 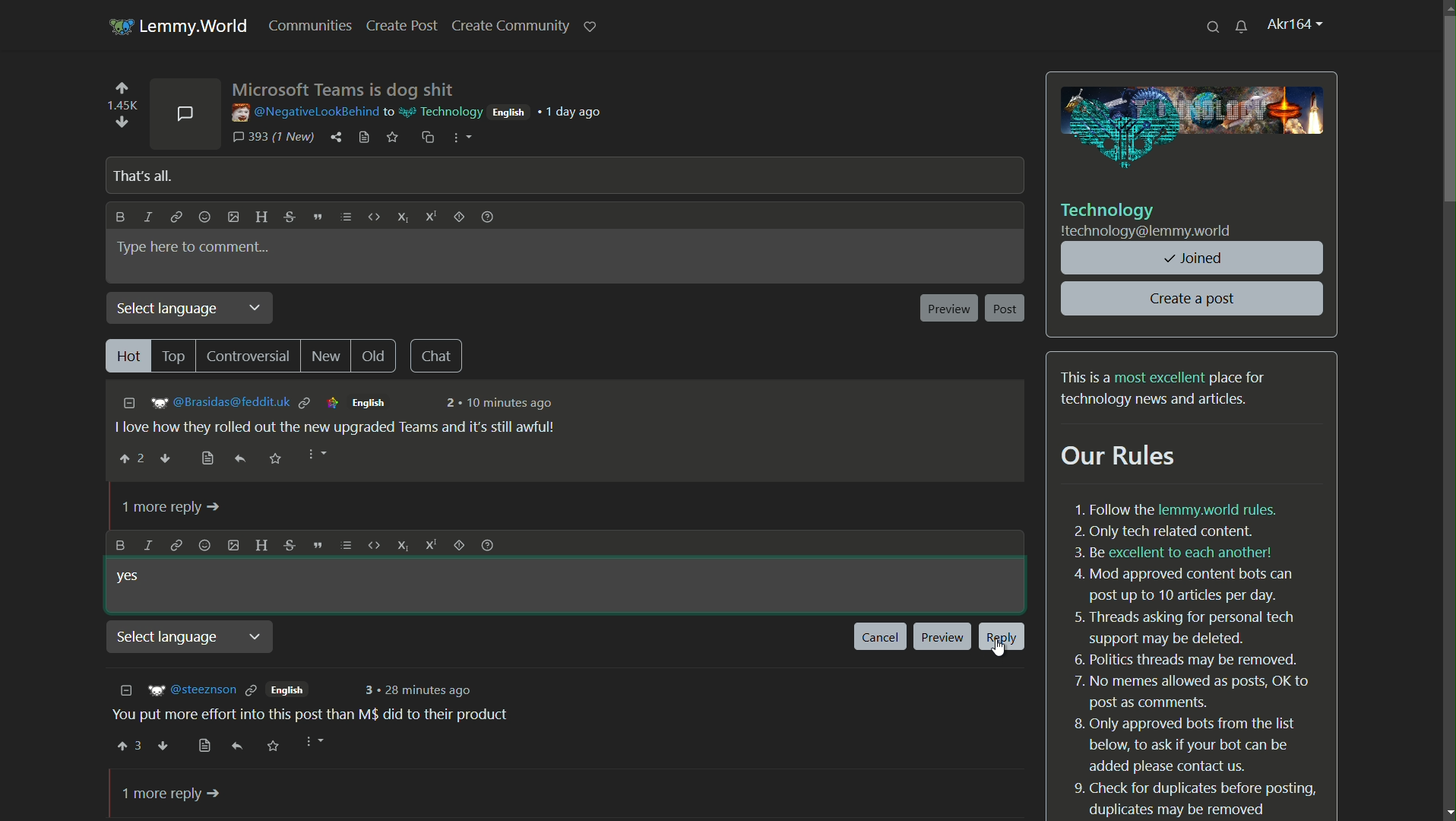 I want to click on save, so click(x=275, y=458).